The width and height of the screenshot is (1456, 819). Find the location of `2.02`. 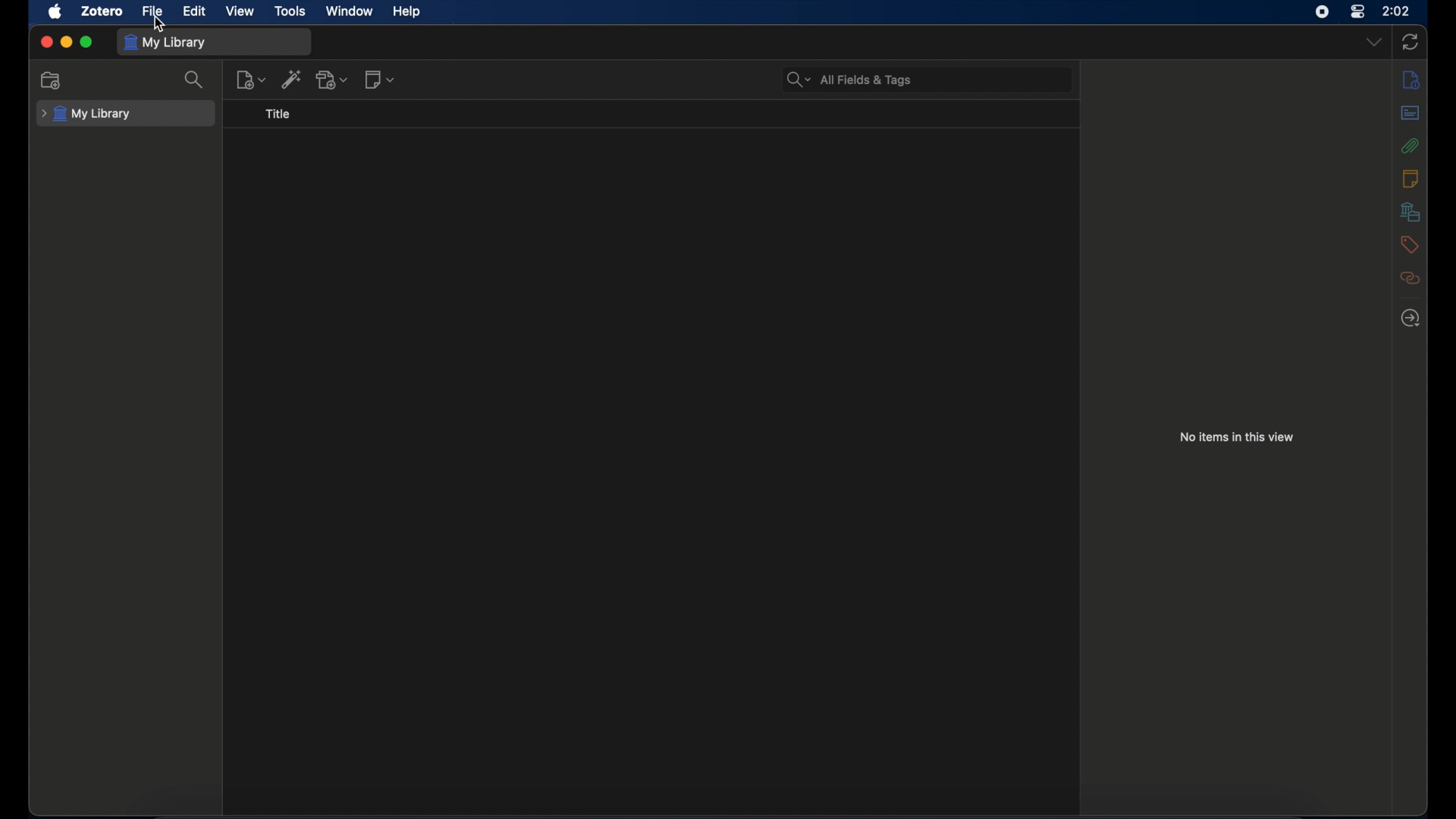

2.02 is located at coordinates (1397, 10).